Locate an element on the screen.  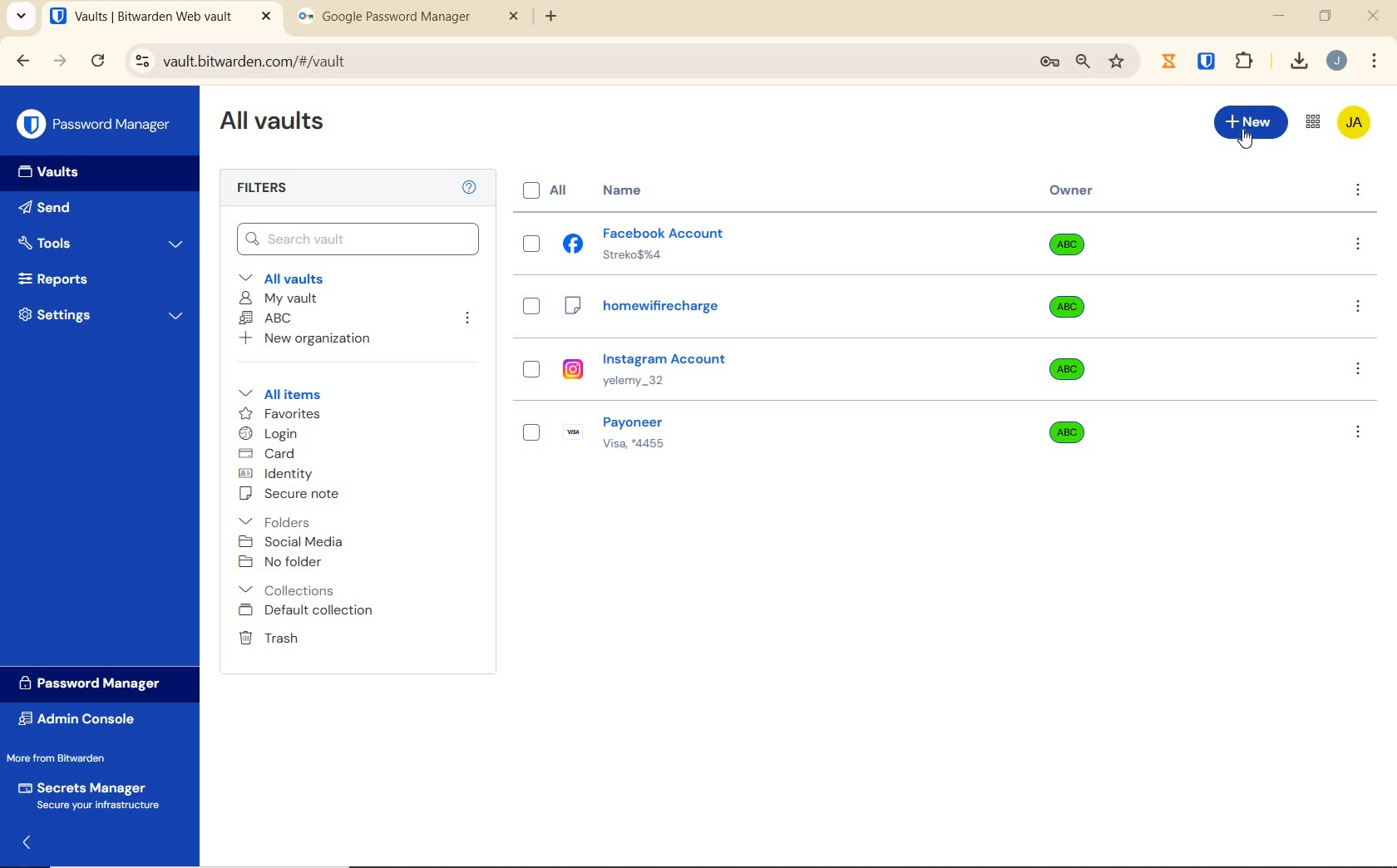
cursor is located at coordinates (1247, 137).